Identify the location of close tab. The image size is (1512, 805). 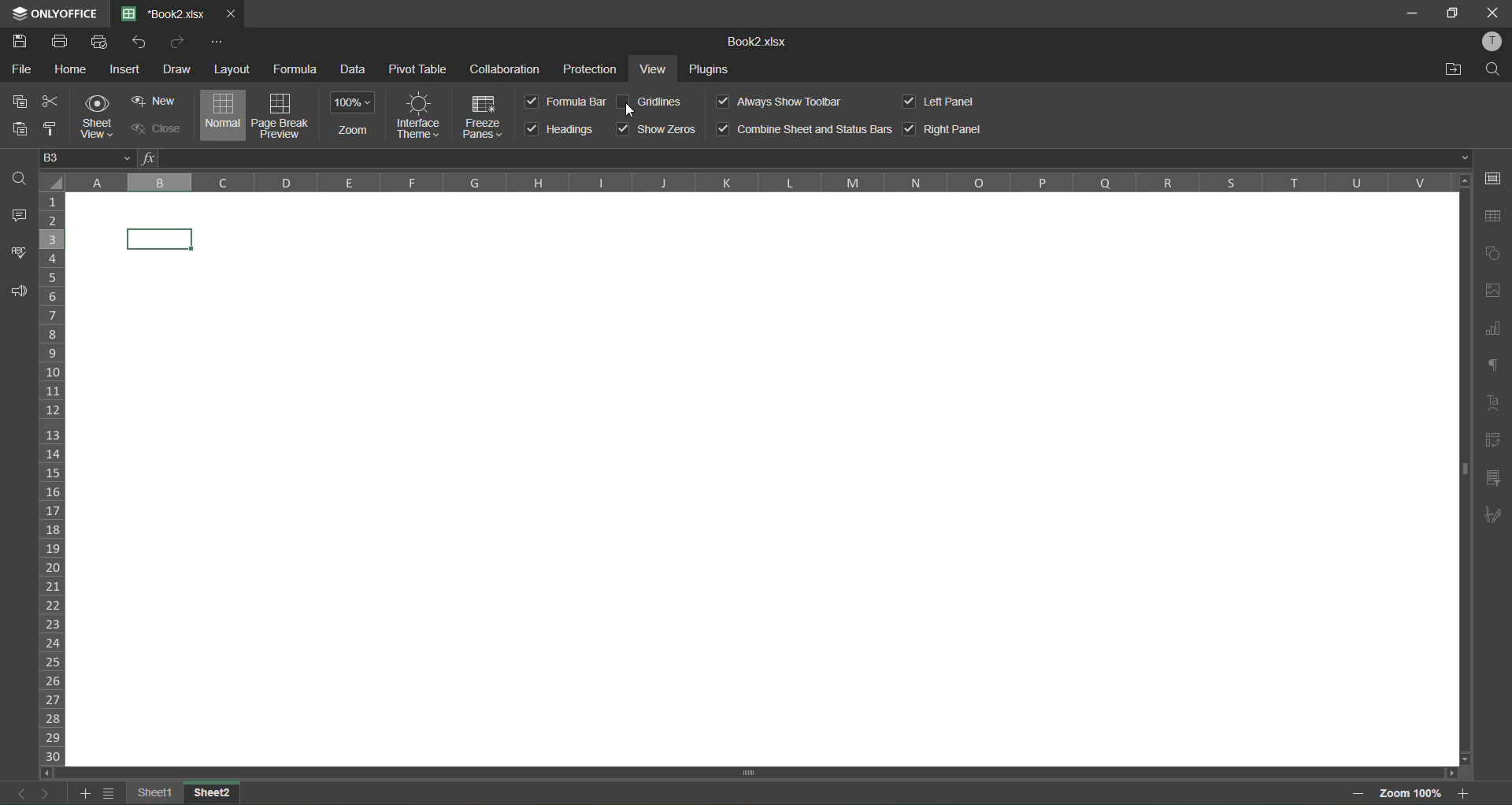
(228, 12).